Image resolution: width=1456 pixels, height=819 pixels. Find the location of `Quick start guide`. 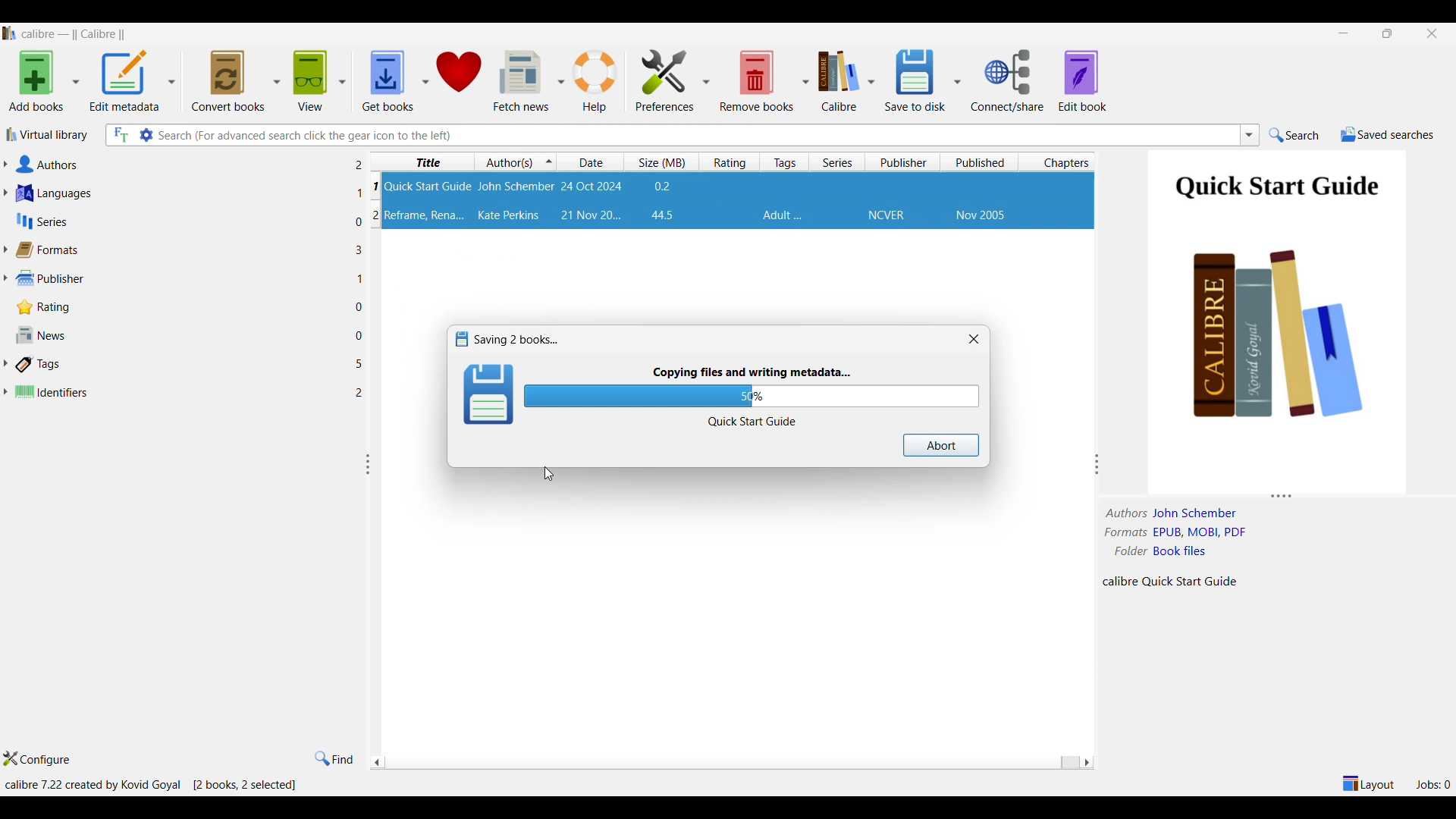

Quick start guide is located at coordinates (752, 422).